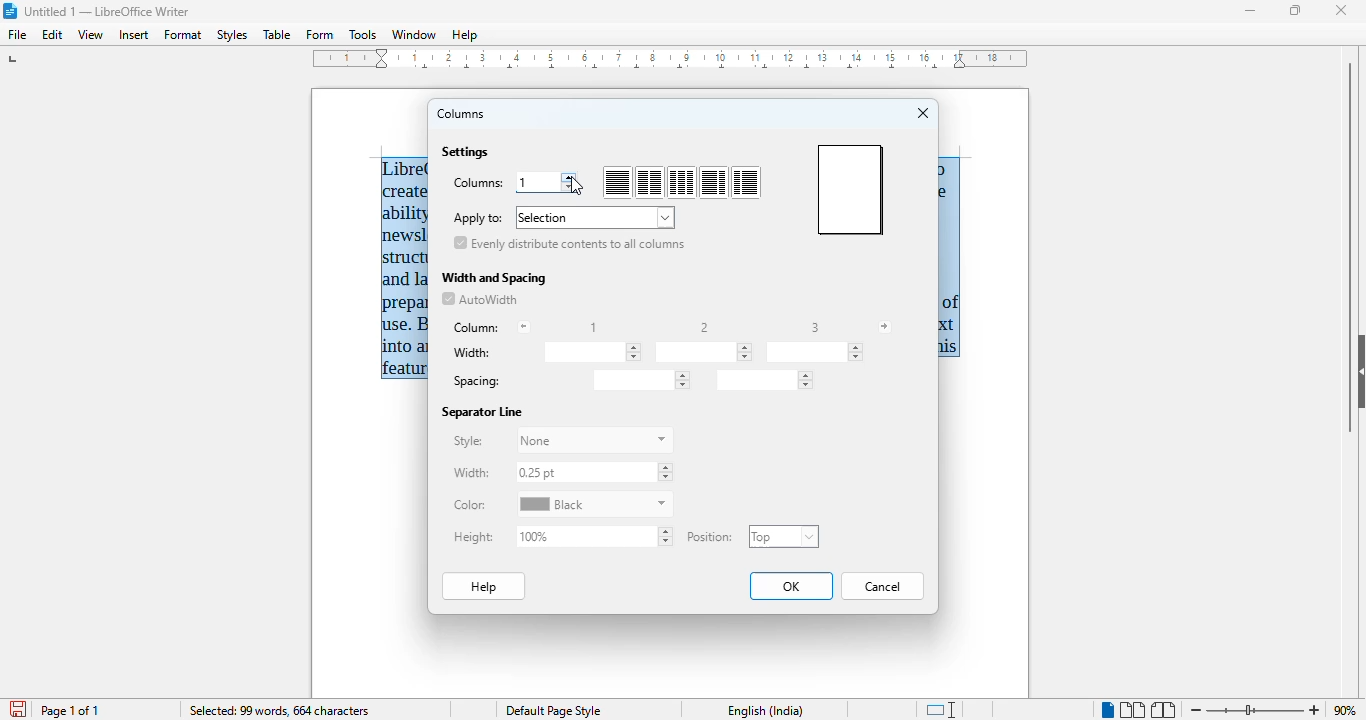 The image size is (1366, 720). What do you see at coordinates (593, 441) in the screenshot?
I see `none` at bounding box center [593, 441].